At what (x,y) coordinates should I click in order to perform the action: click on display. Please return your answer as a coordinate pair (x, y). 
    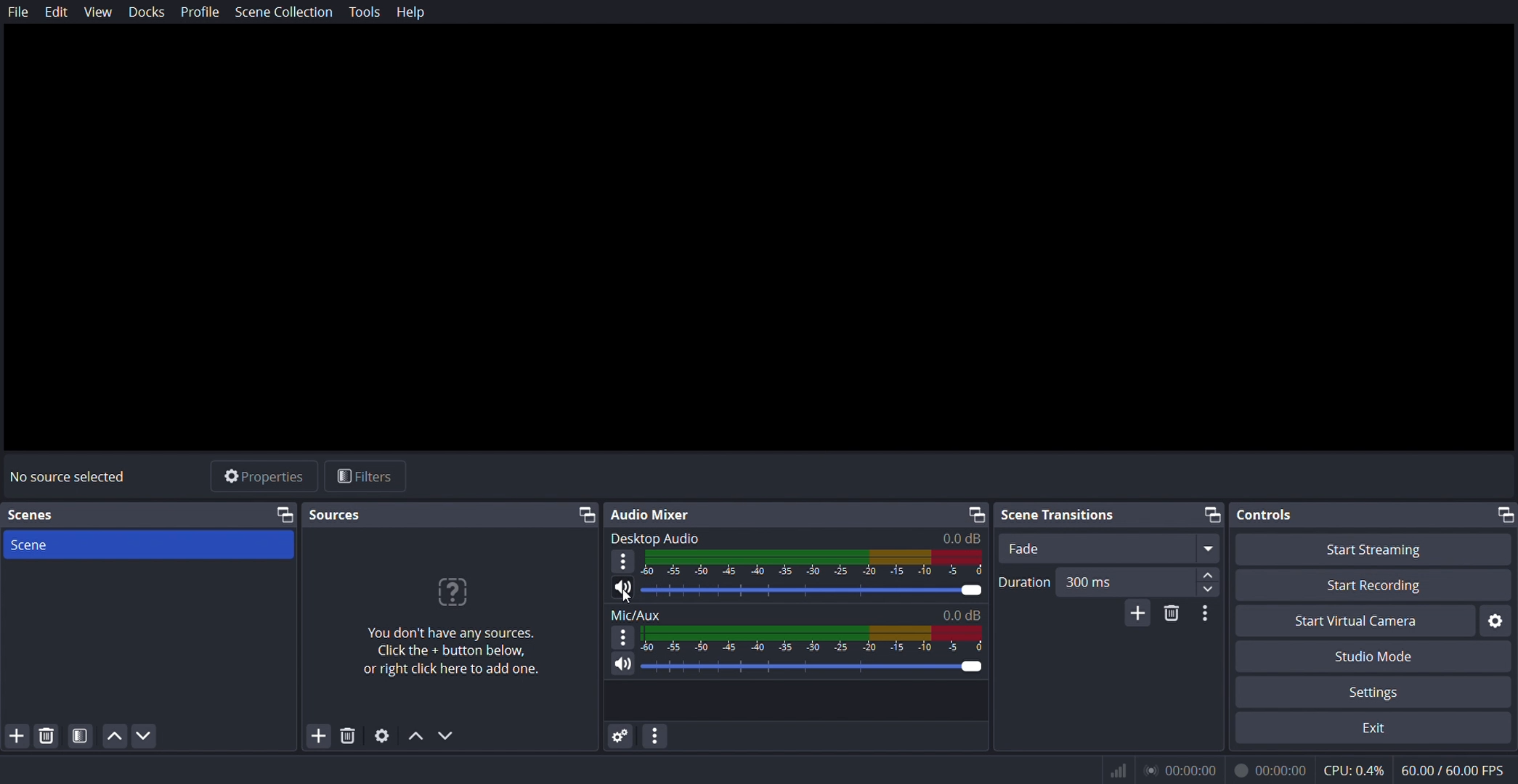
    Looking at the image, I should click on (813, 641).